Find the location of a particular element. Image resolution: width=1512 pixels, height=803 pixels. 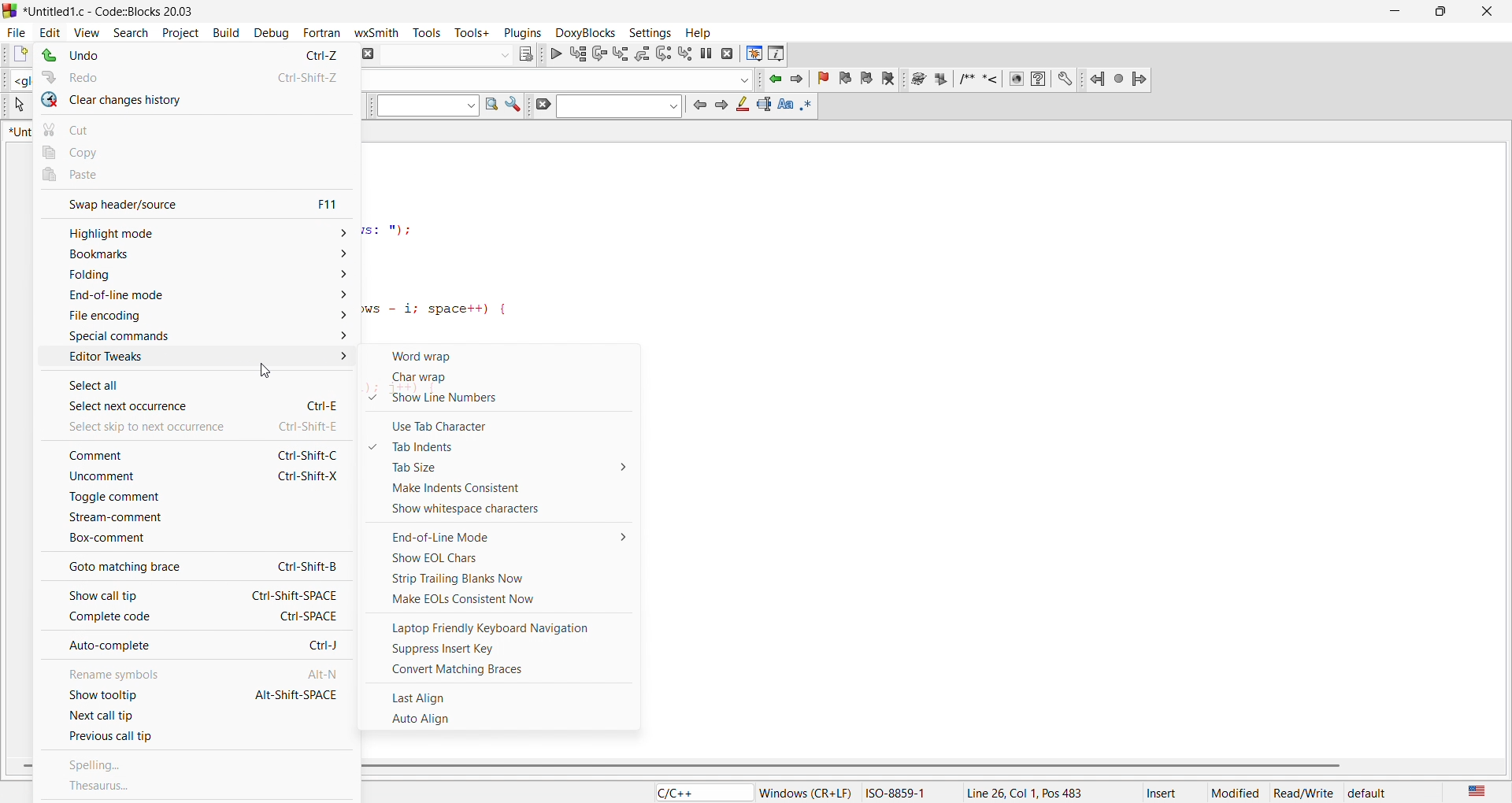

fortran is located at coordinates (323, 31).